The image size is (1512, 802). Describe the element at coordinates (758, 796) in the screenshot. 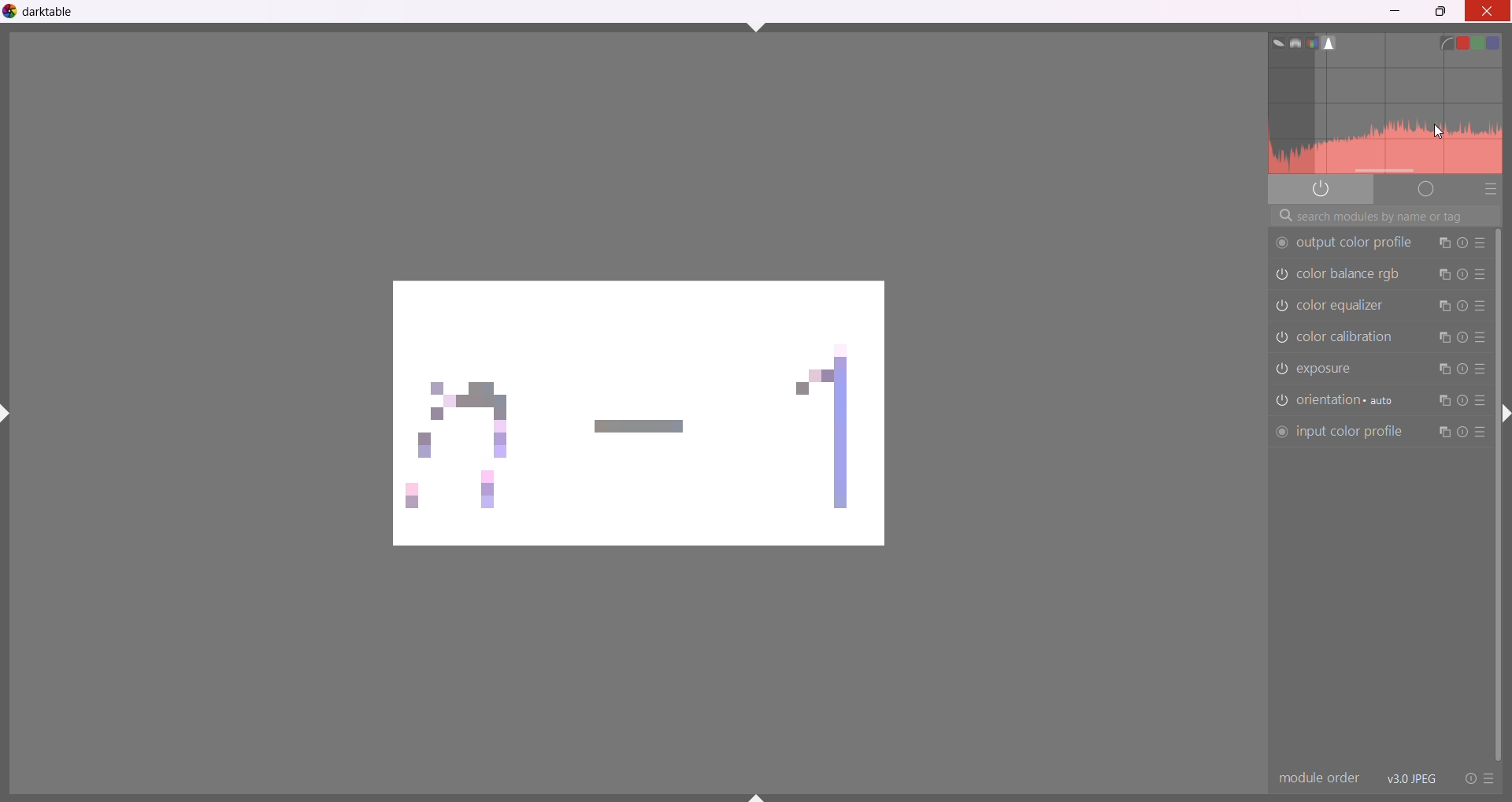

I see `shift+ctrl+b` at that location.